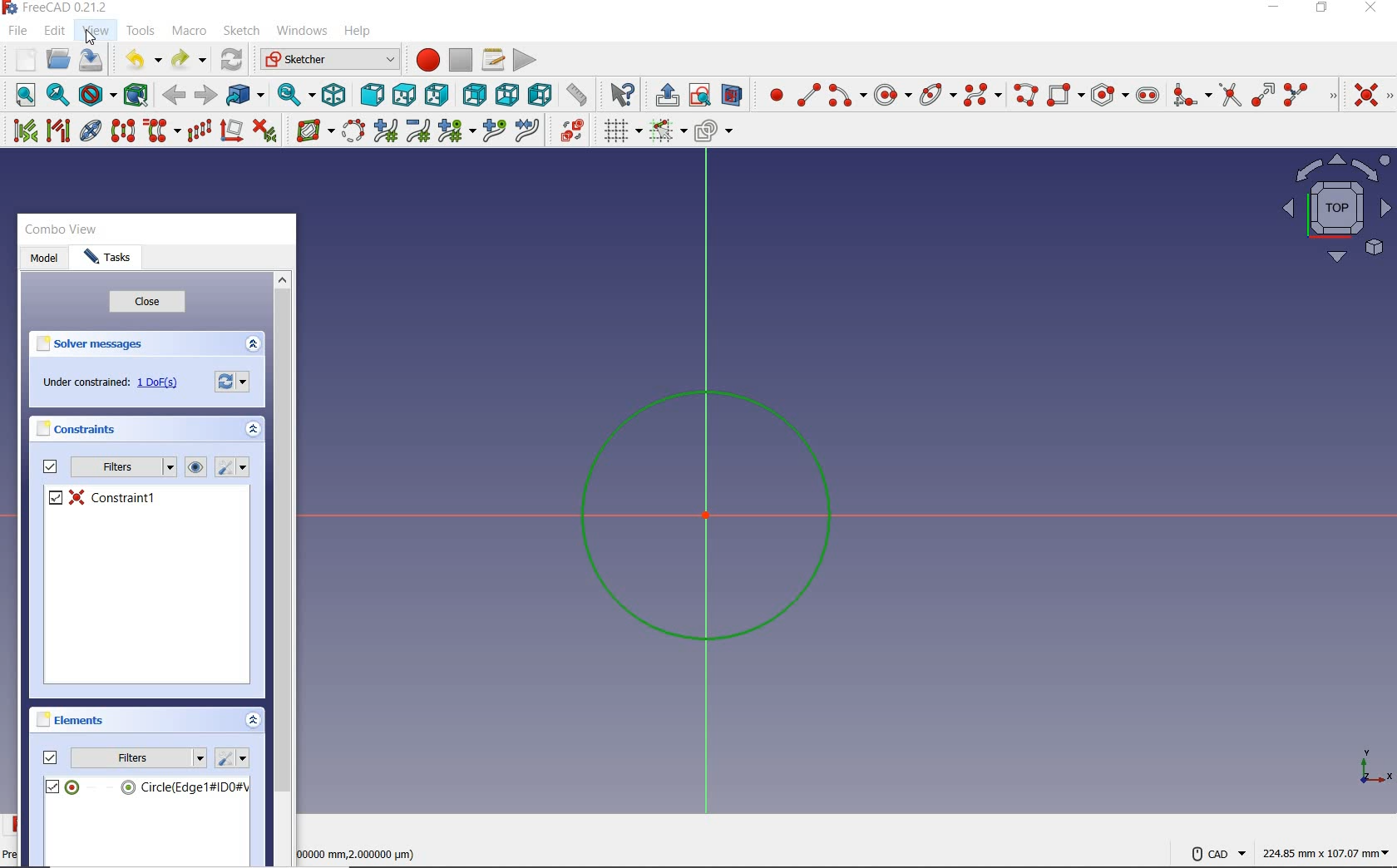 This screenshot has height=868, width=1397. What do you see at coordinates (569, 131) in the screenshot?
I see `switch virtual space` at bounding box center [569, 131].